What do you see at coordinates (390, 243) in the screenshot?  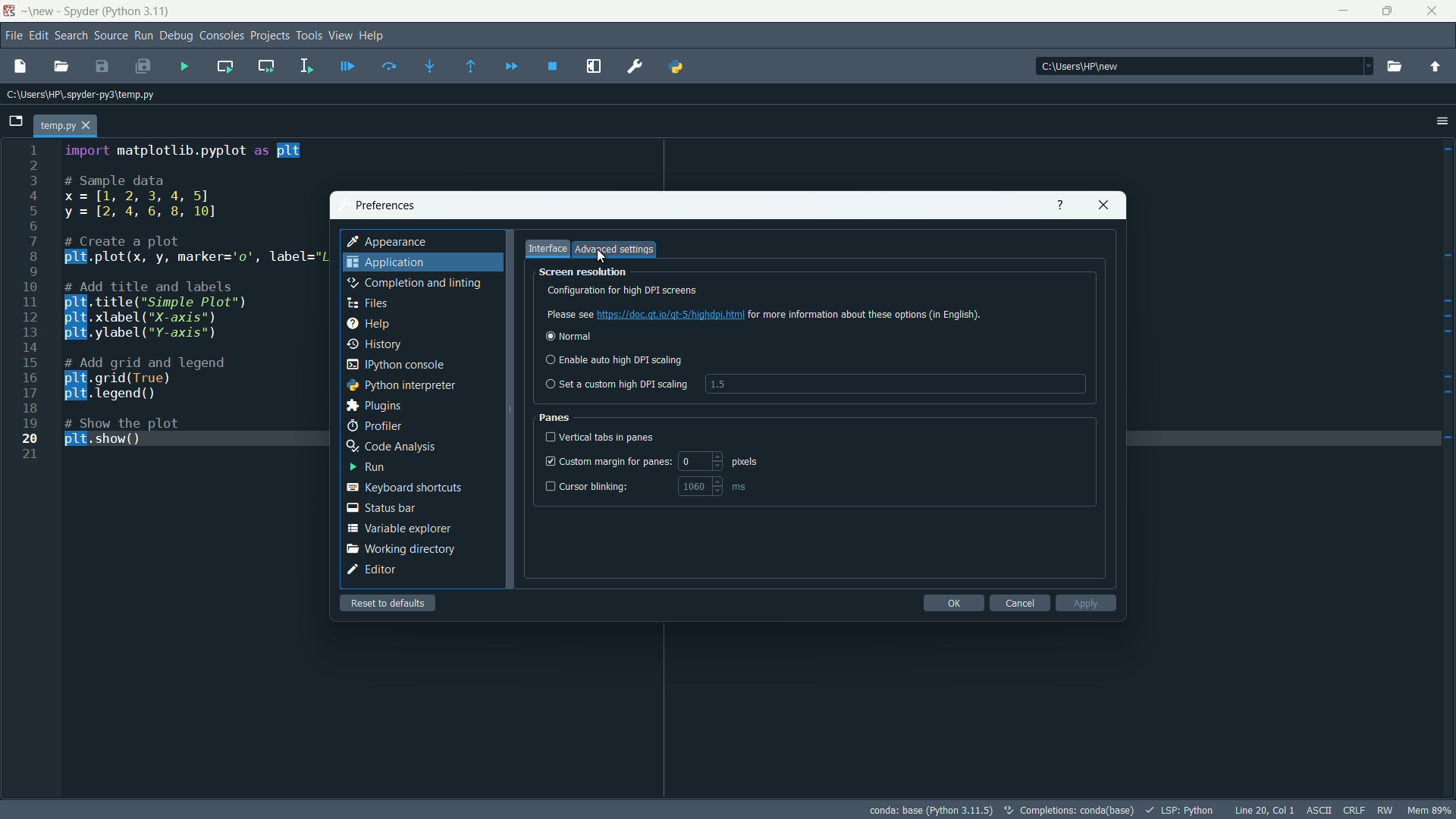 I see `appearance` at bounding box center [390, 243].